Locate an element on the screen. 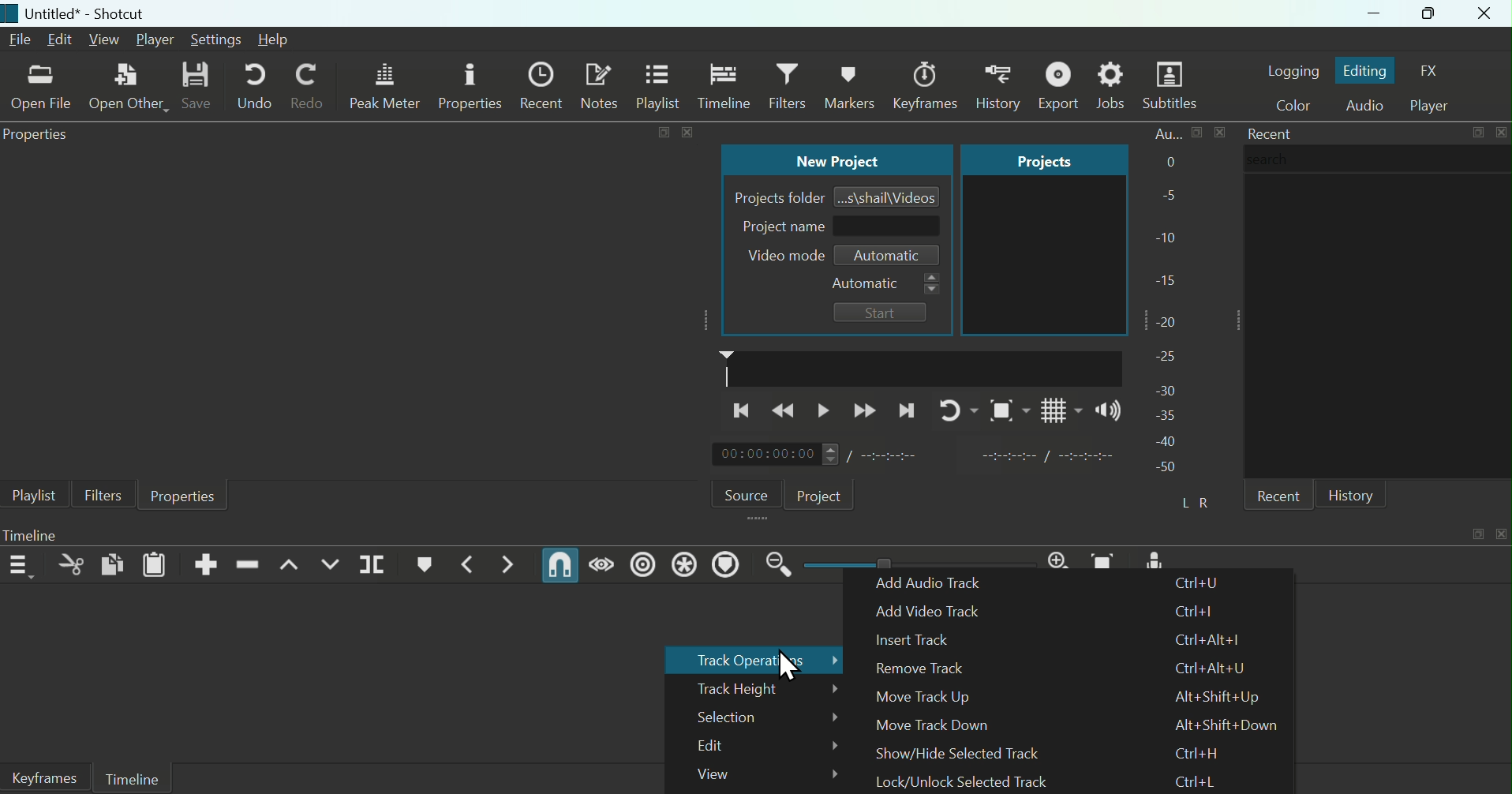 Image resolution: width=1512 pixels, height=794 pixels. -15 is located at coordinates (1168, 276).